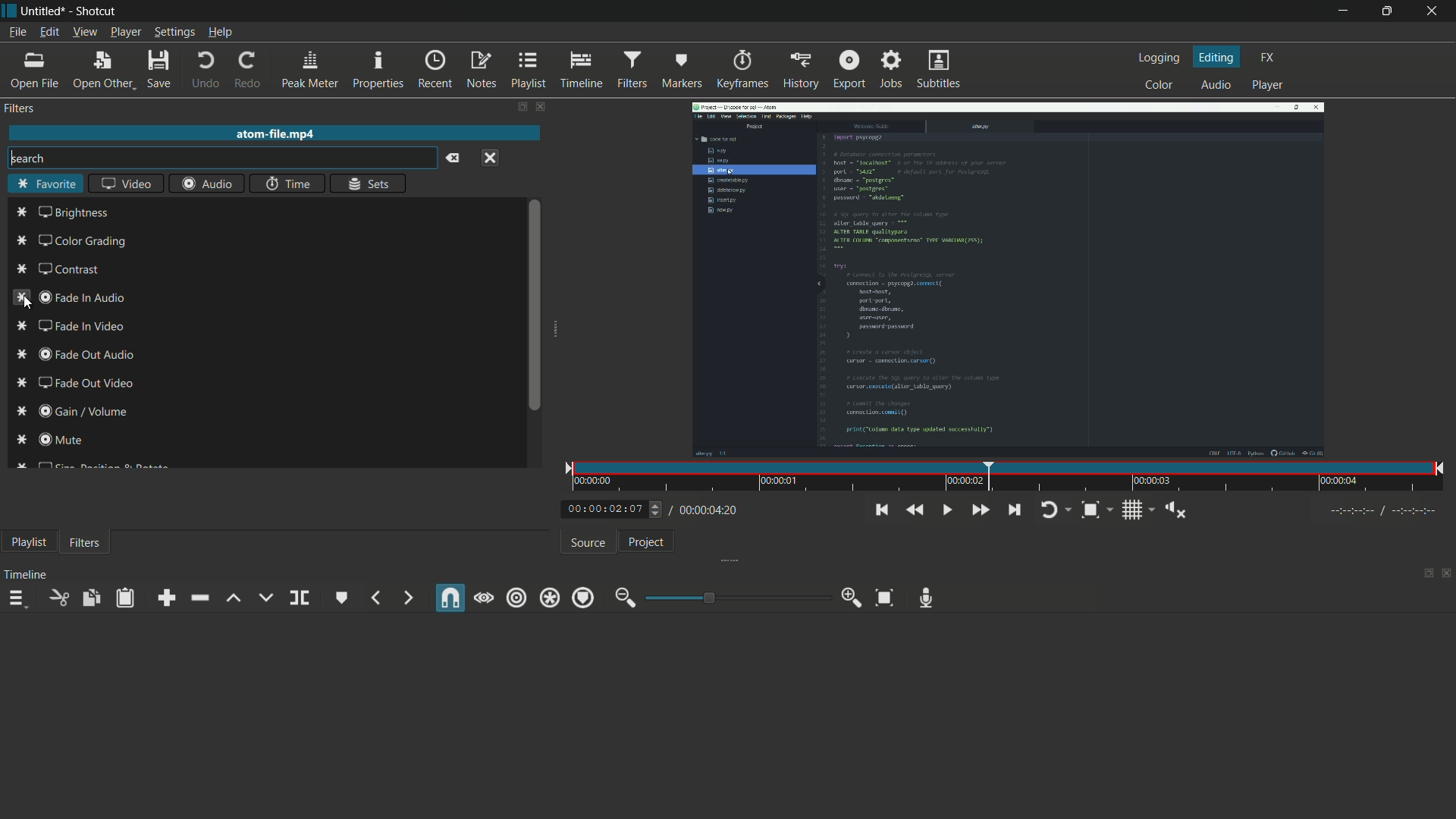 Image resolution: width=1456 pixels, height=819 pixels. What do you see at coordinates (516, 599) in the screenshot?
I see `ripple` at bounding box center [516, 599].